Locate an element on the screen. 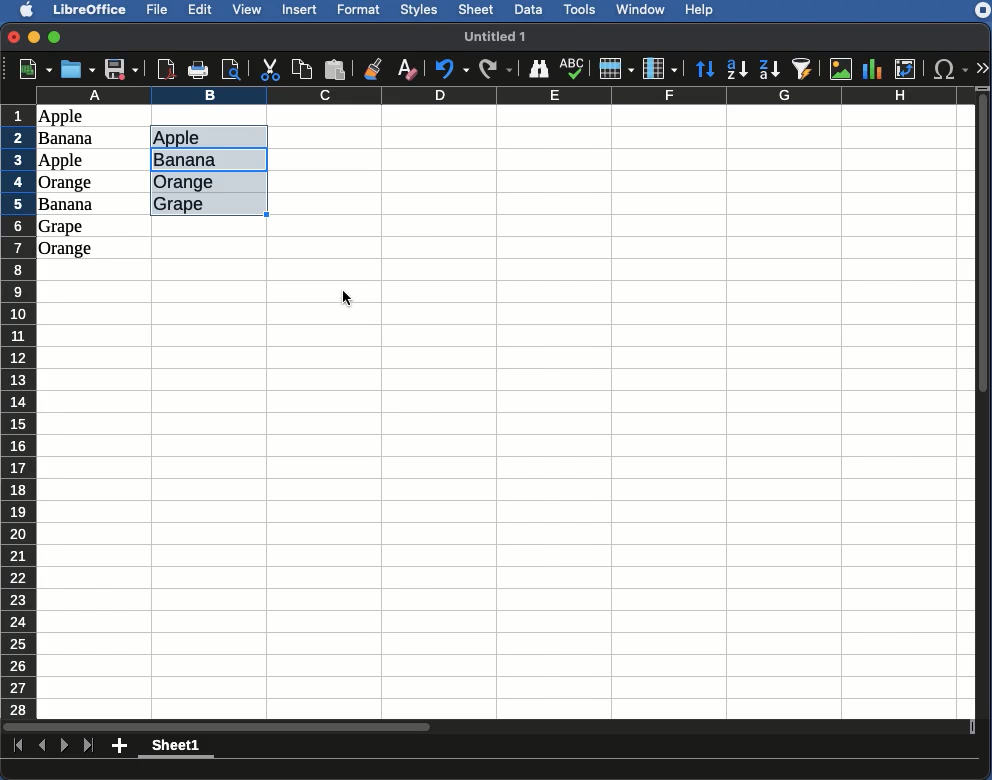 The image size is (992, 780). View is located at coordinates (249, 11).